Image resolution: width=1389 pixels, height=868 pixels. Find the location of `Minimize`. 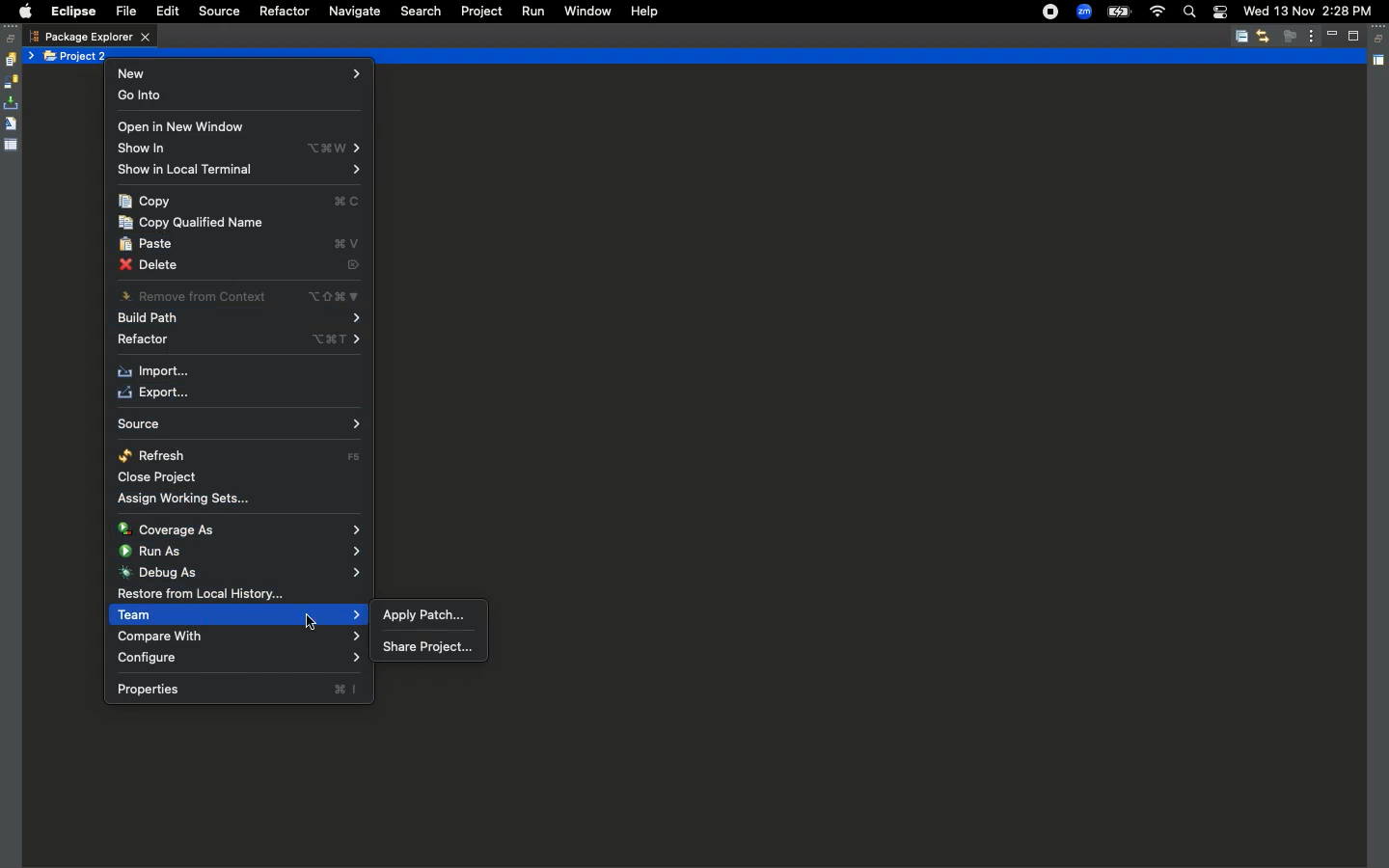

Minimize is located at coordinates (1335, 36).